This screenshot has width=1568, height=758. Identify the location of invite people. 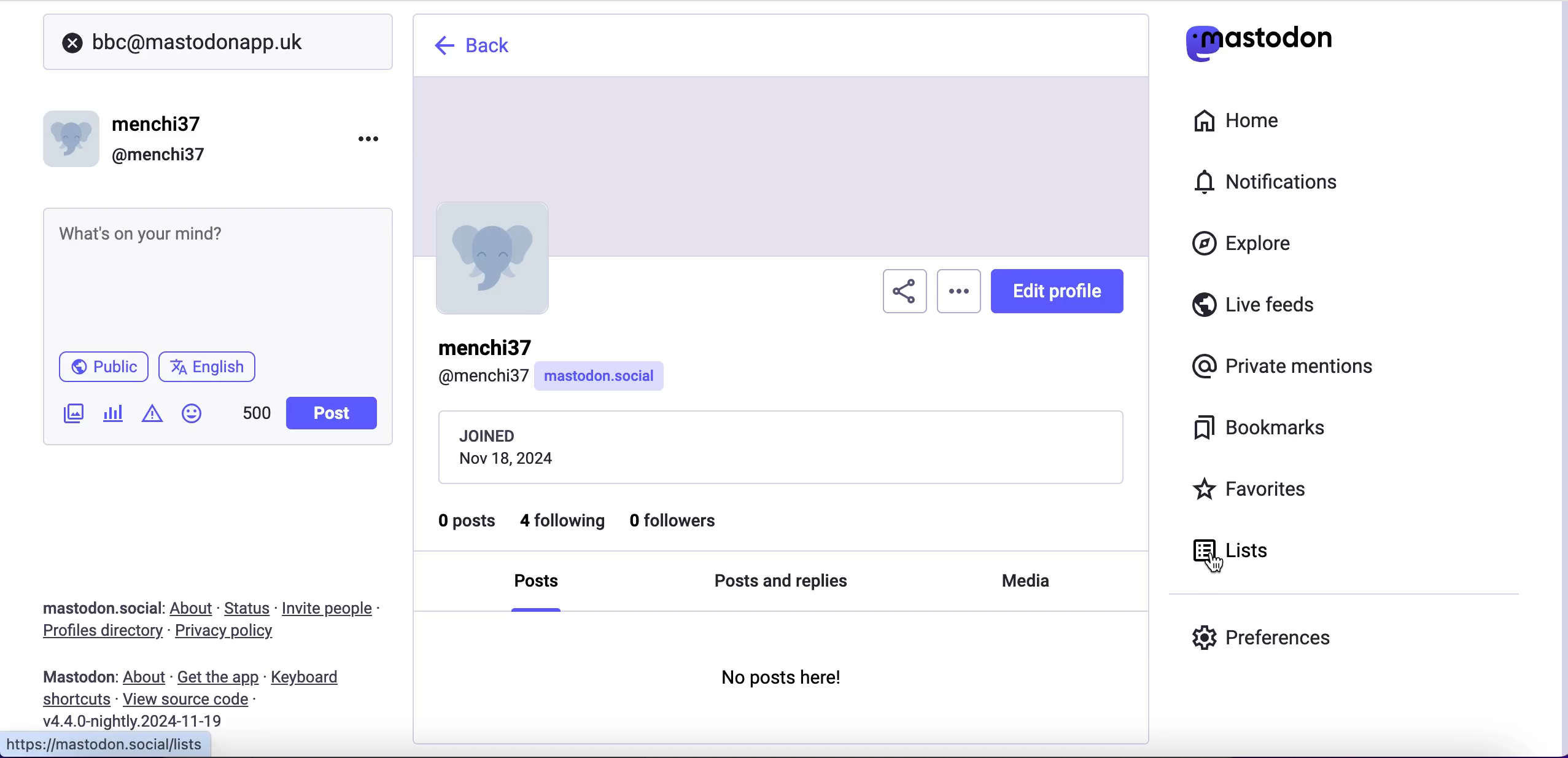
(334, 609).